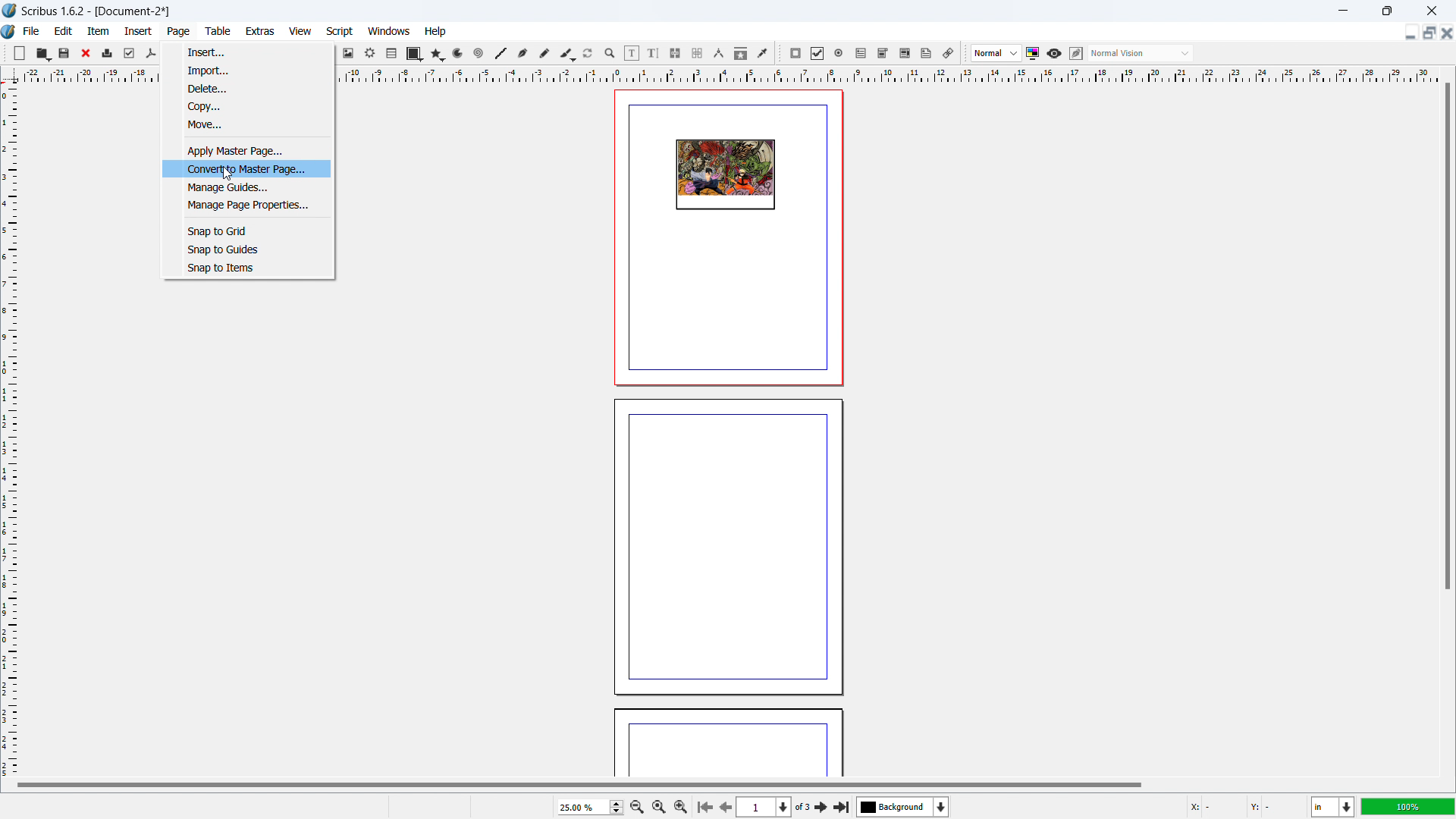  What do you see at coordinates (795, 53) in the screenshot?
I see `pdf push button` at bounding box center [795, 53].